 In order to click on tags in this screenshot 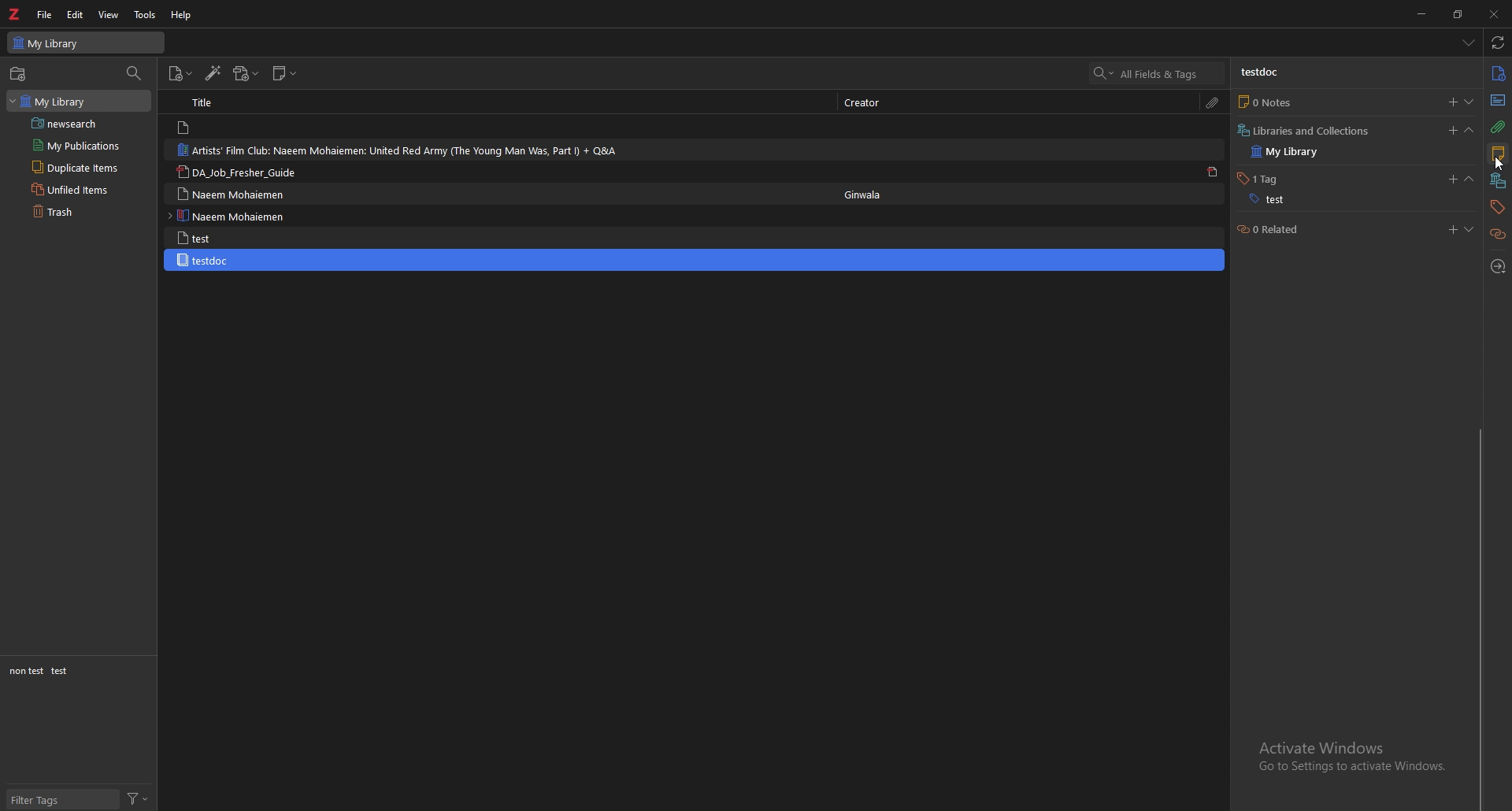, I will do `click(1498, 206)`.